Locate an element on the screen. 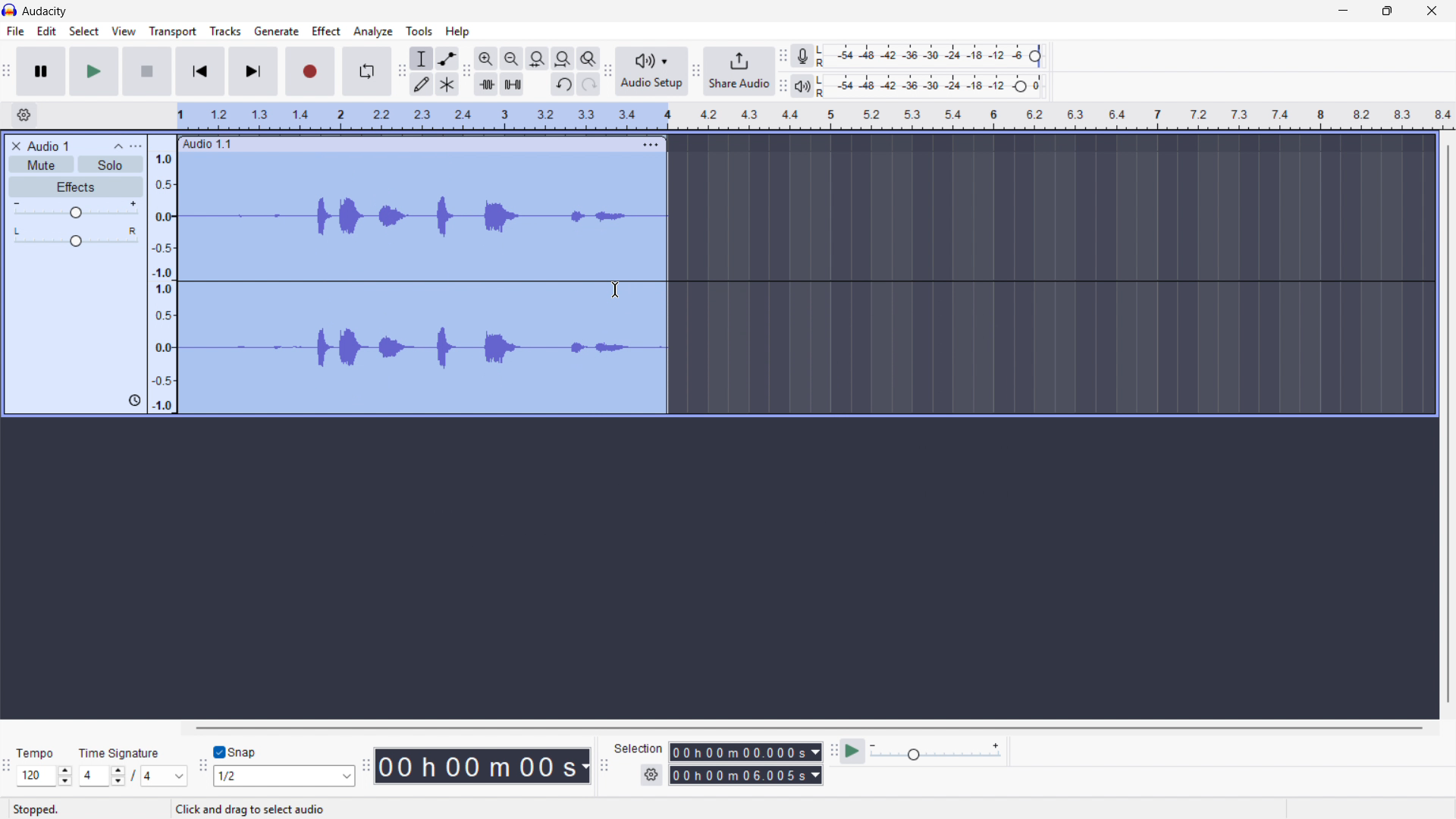  Selection settings is located at coordinates (651, 775).